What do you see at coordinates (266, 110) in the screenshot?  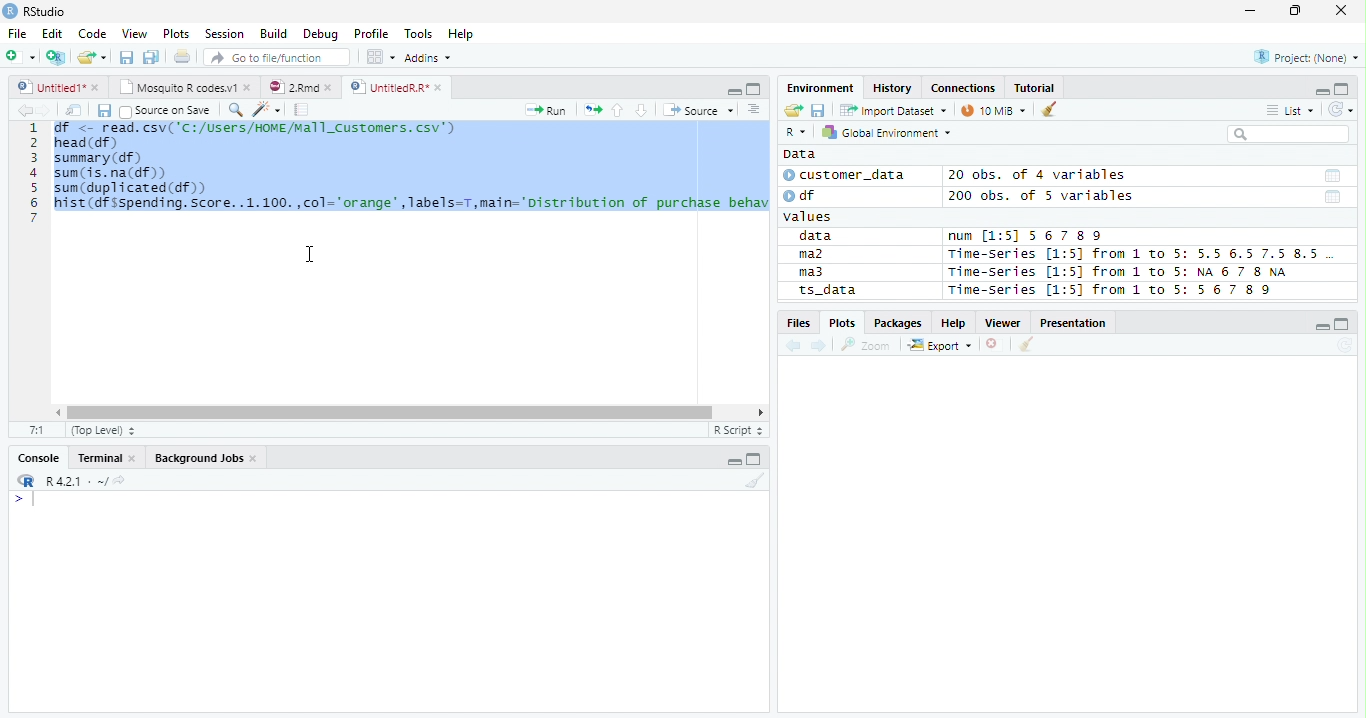 I see `Code Tools` at bounding box center [266, 110].